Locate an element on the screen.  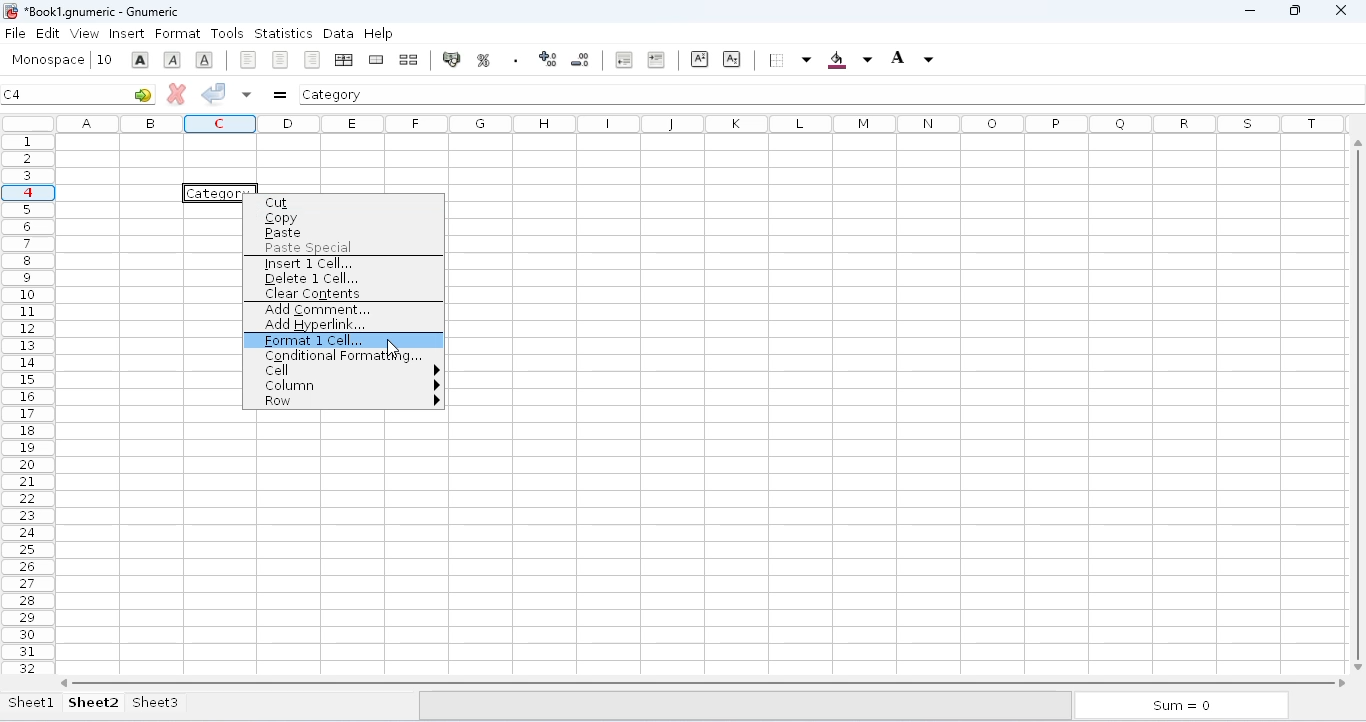
align left is located at coordinates (248, 60).